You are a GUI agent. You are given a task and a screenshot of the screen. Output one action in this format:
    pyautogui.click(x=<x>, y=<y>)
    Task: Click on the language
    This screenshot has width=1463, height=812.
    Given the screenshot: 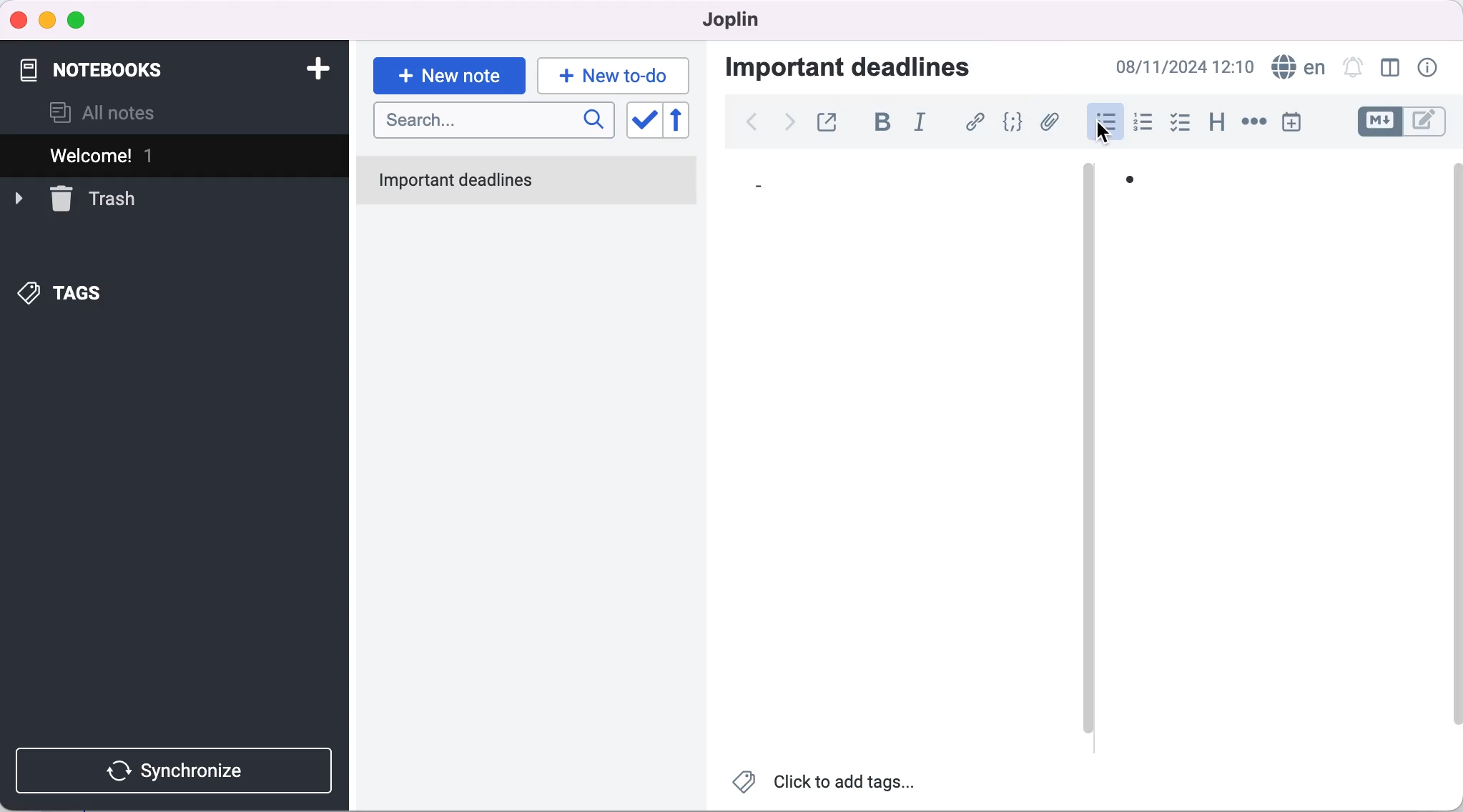 What is the action you would take?
    pyautogui.click(x=1296, y=69)
    